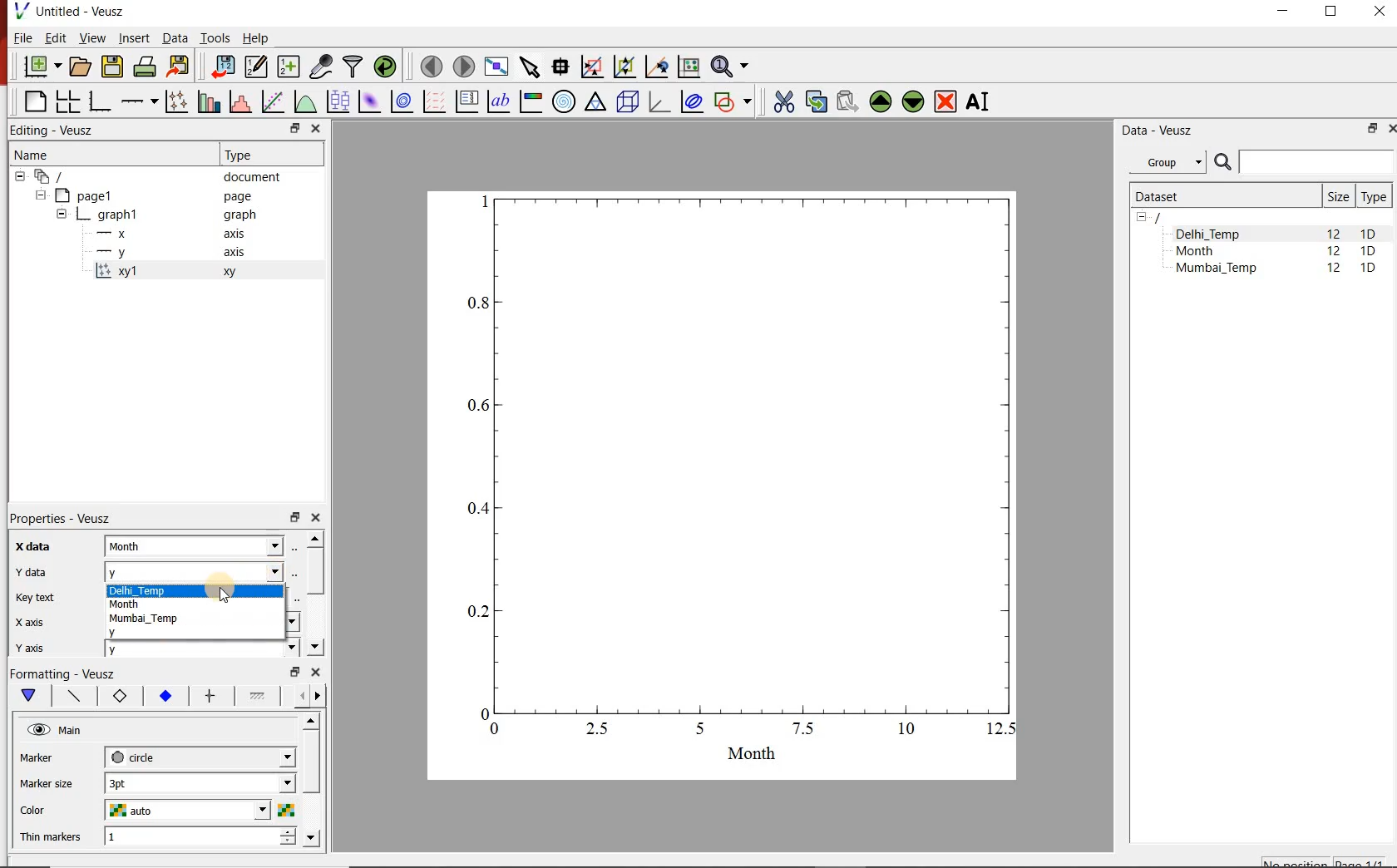 This screenshot has width=1397, height=868. Describe the element at coordinates (26, 620) in the screenshot. I see `x axix` at that location.